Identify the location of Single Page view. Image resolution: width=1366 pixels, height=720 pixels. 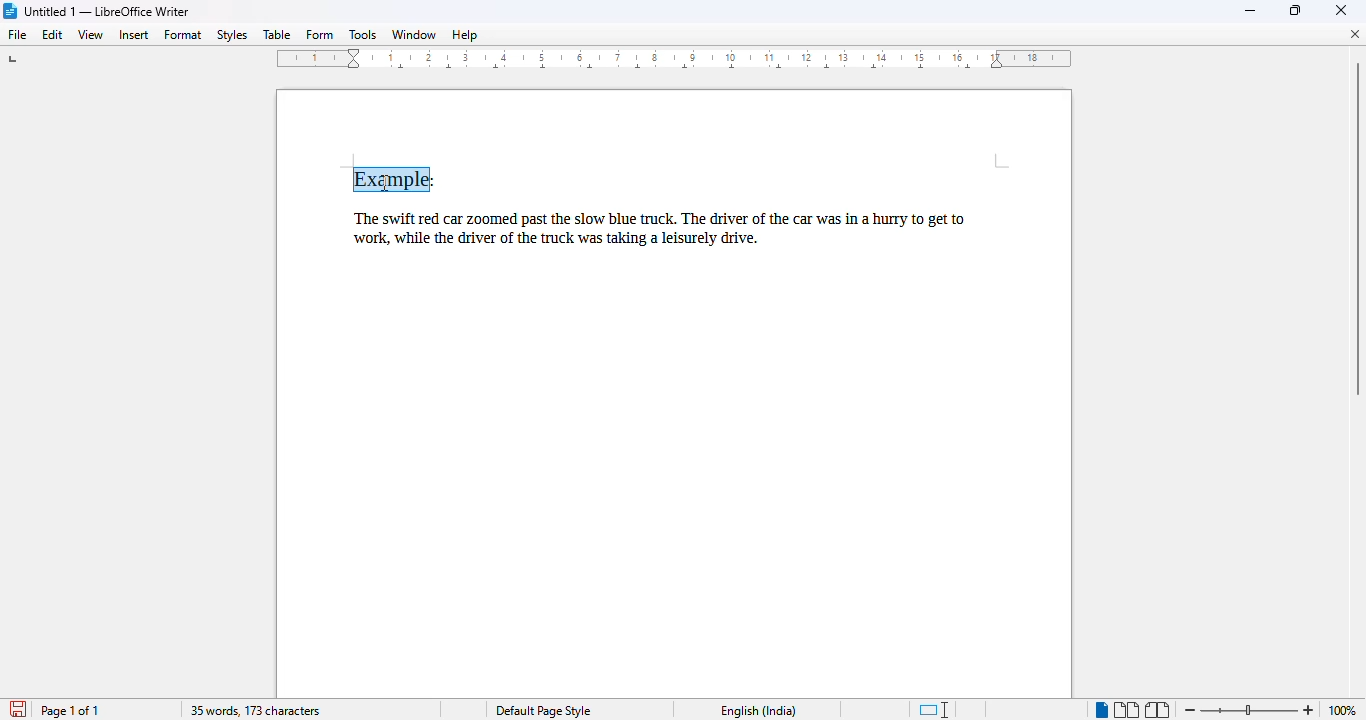
(1091, 709).